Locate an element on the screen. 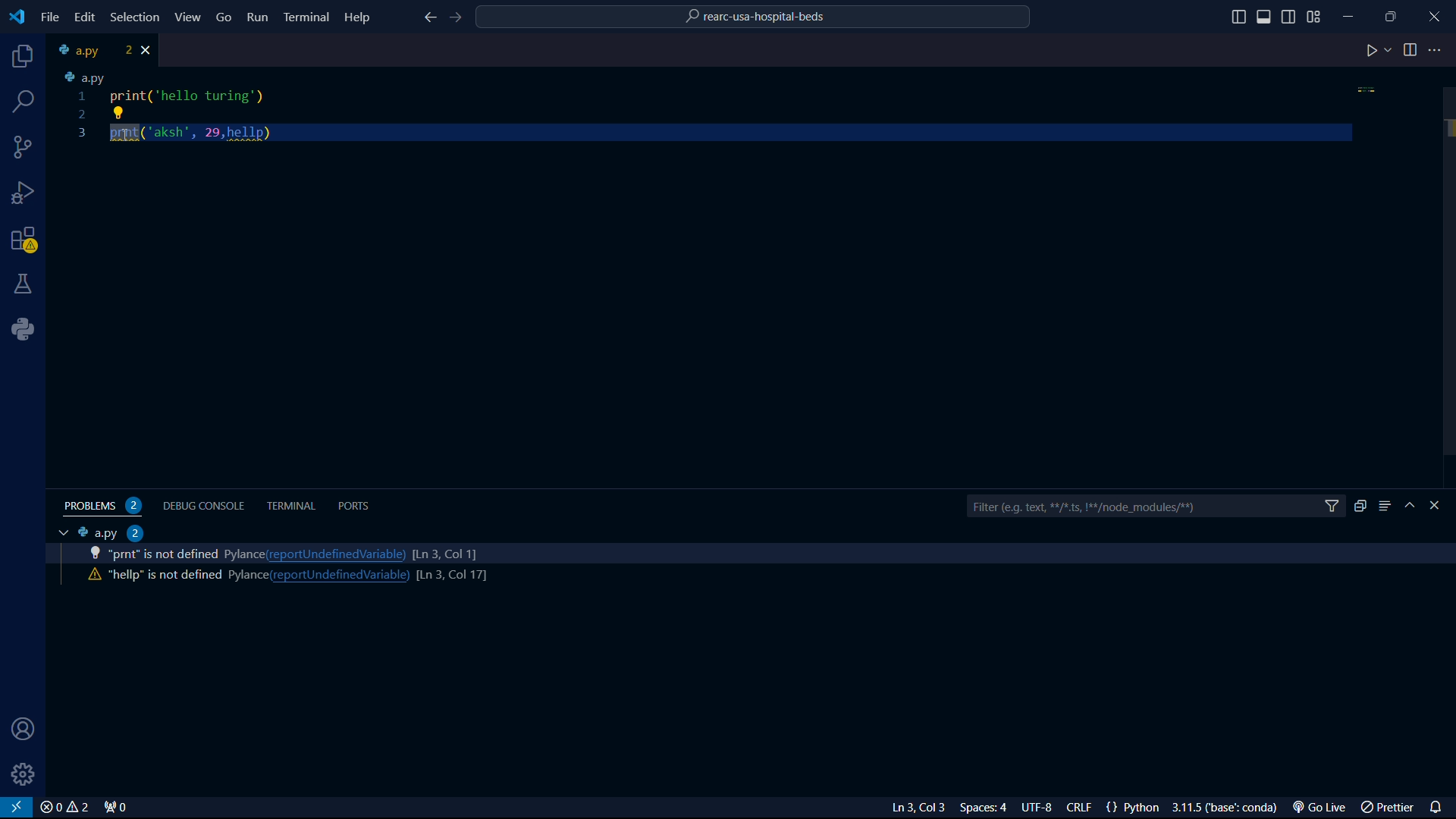  VS Code logo is located at coordinates (15, 15).